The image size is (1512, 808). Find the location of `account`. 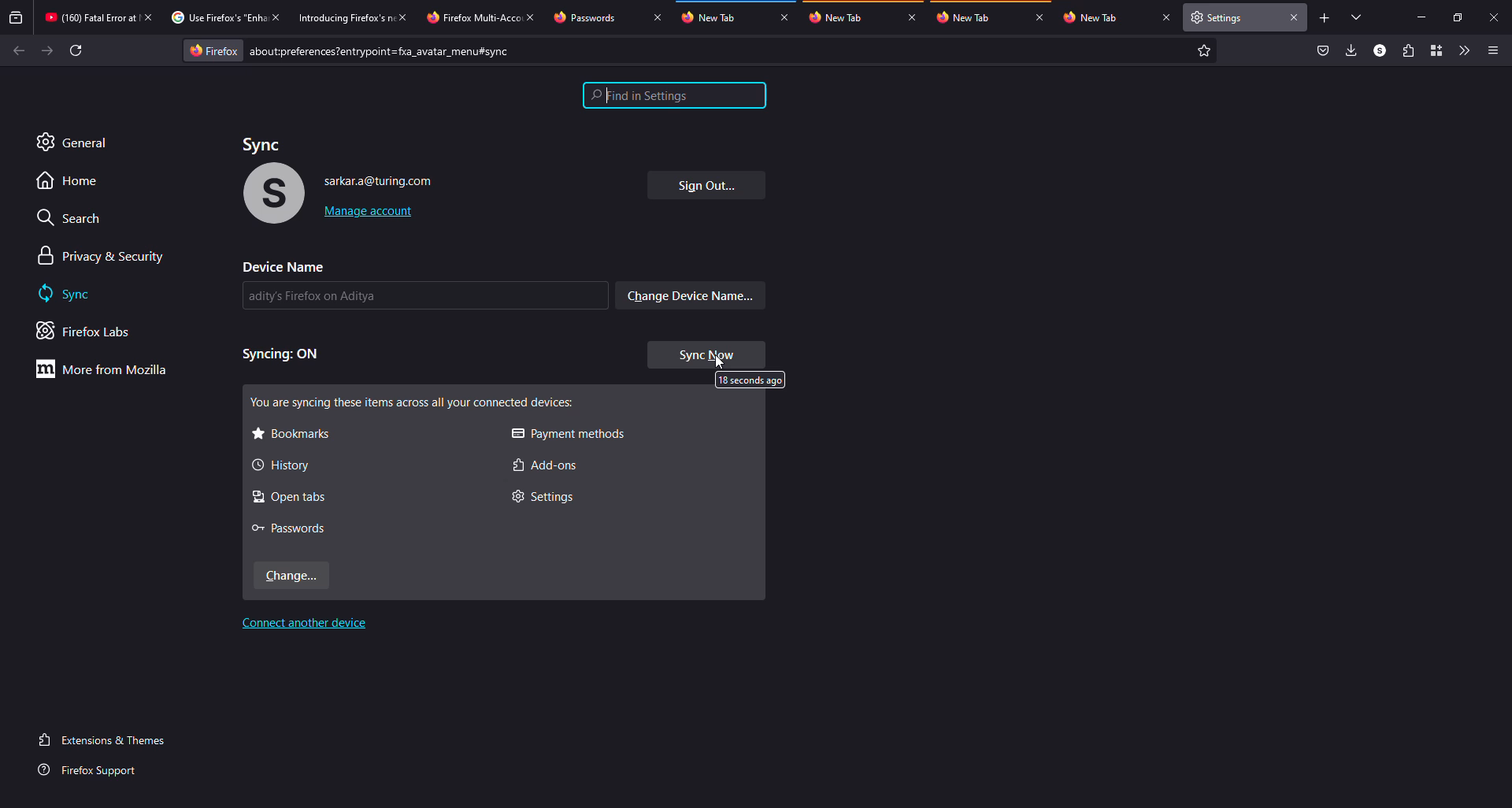

account is located at coordinates (380, 180).